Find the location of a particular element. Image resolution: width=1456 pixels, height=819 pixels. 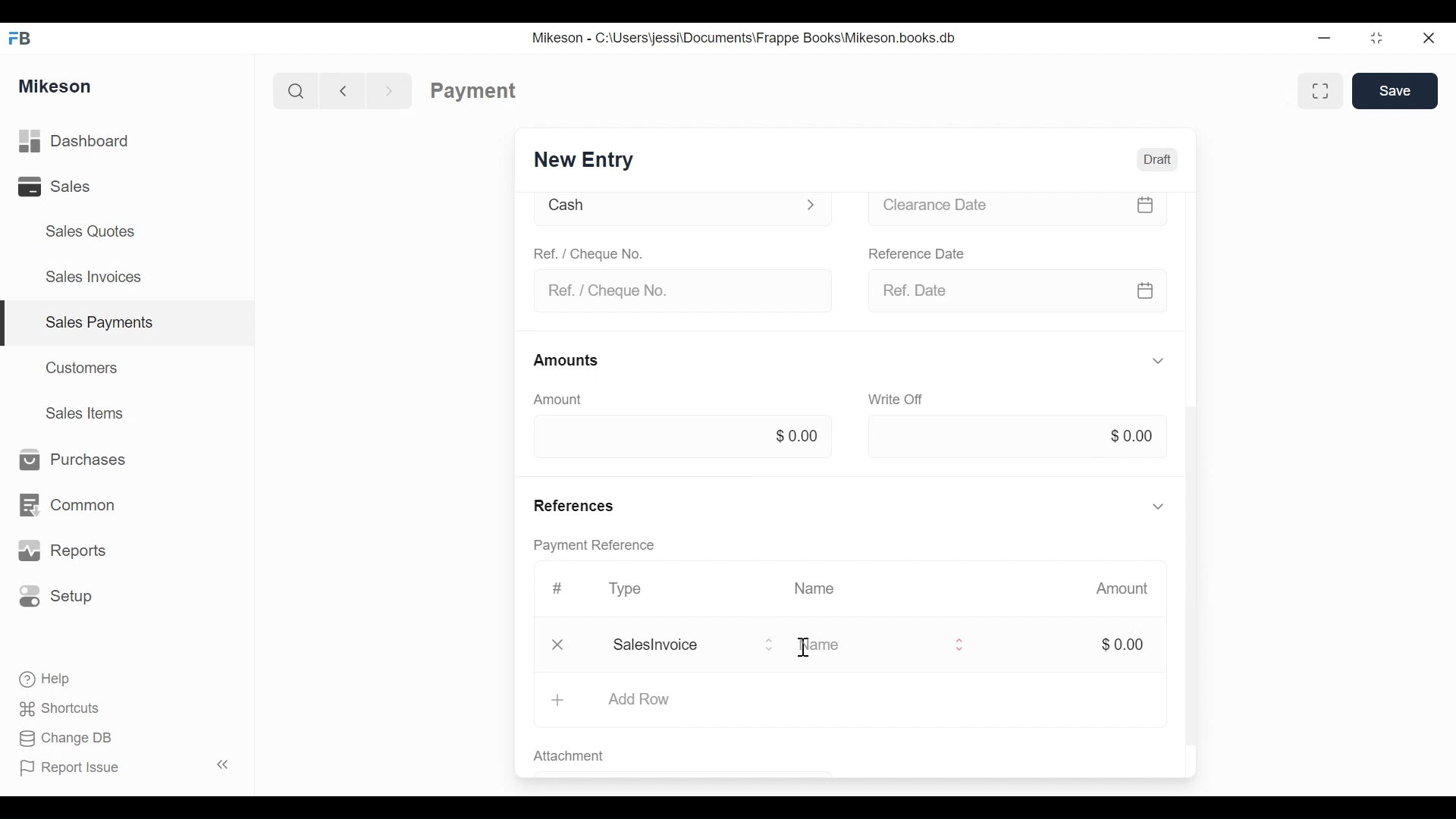

Minimize is located at coordinates (1324, 40).